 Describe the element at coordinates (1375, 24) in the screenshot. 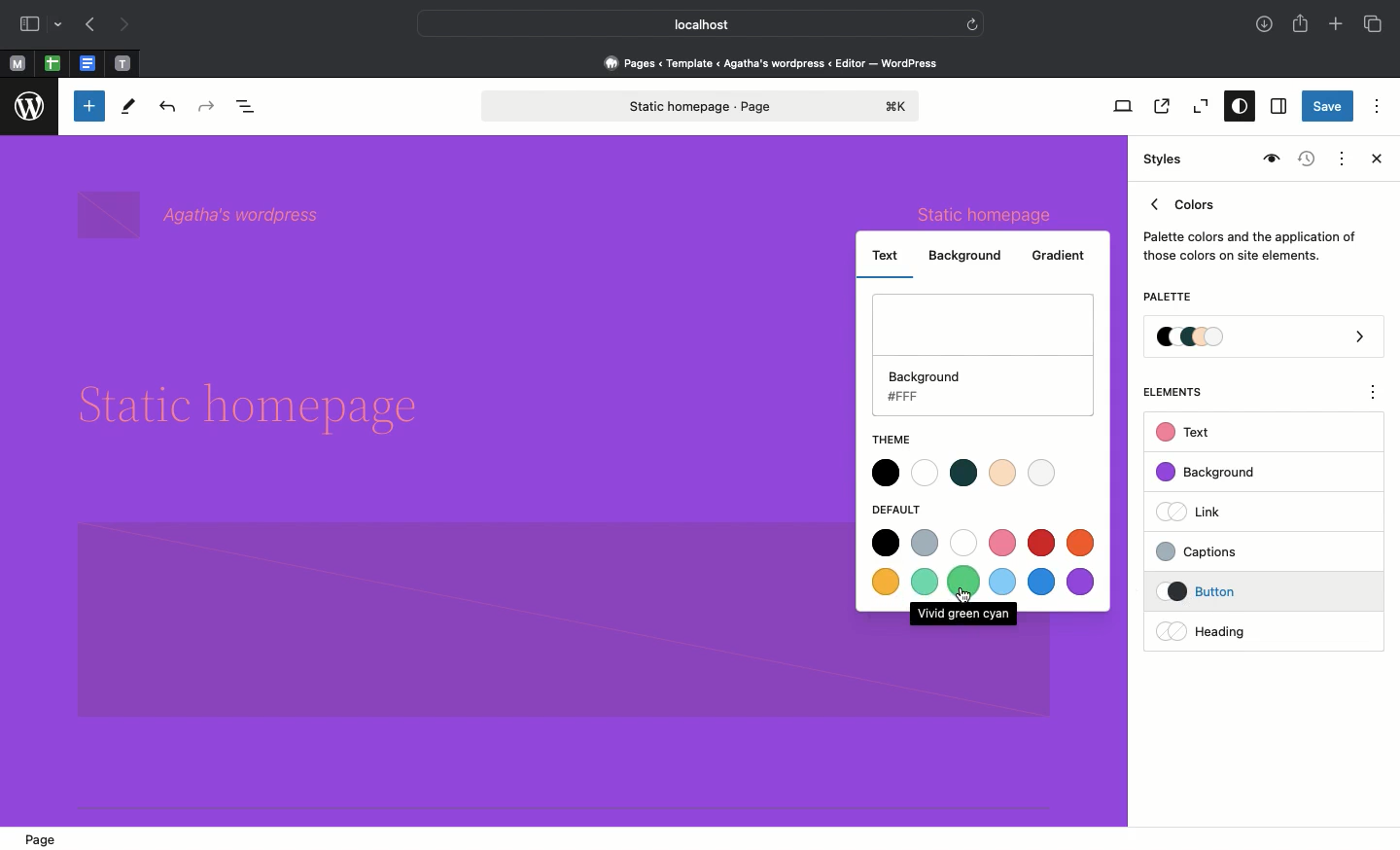

I see `Tabs` at that location.